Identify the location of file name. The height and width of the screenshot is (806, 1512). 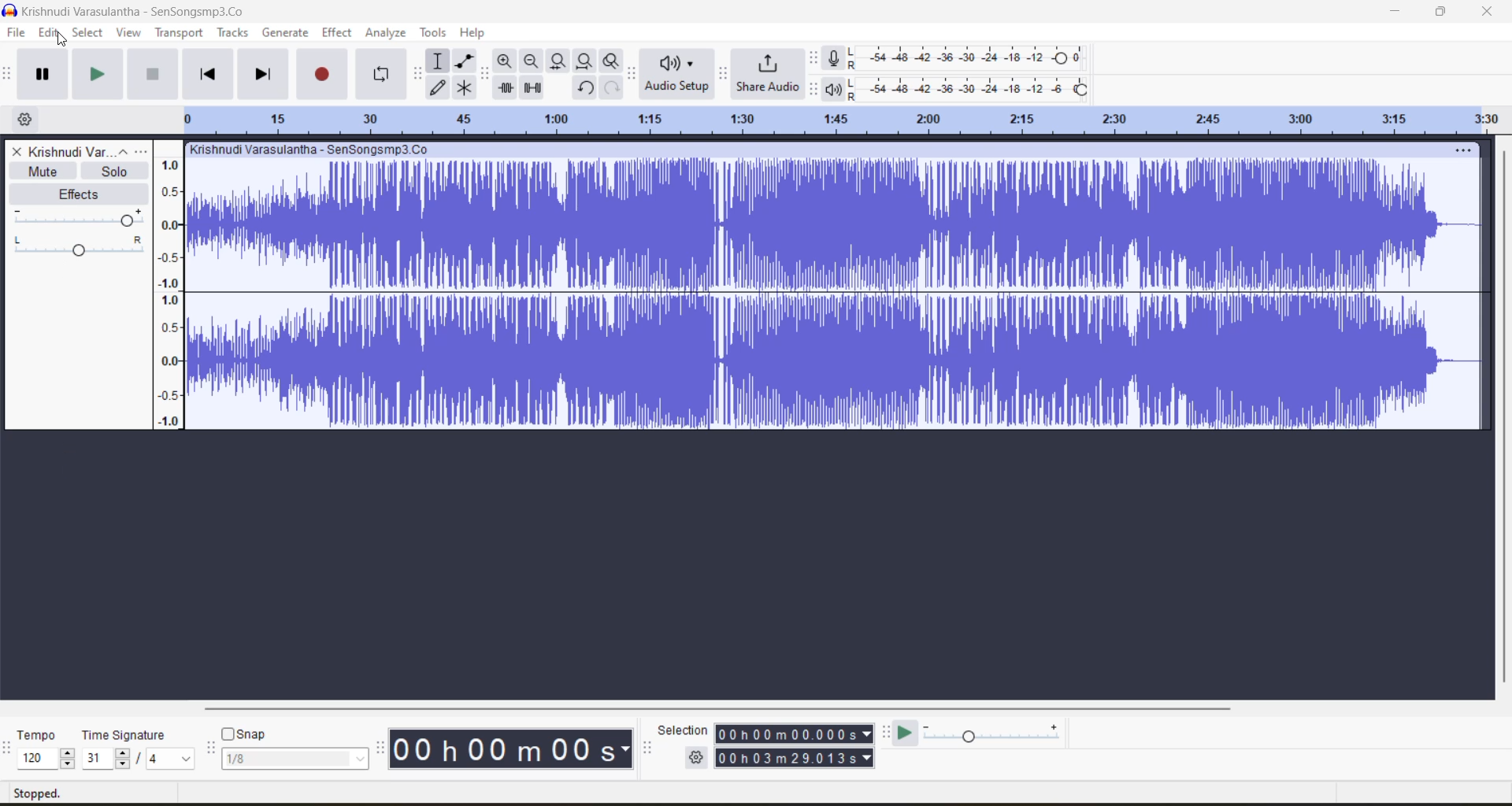
(89, 151).